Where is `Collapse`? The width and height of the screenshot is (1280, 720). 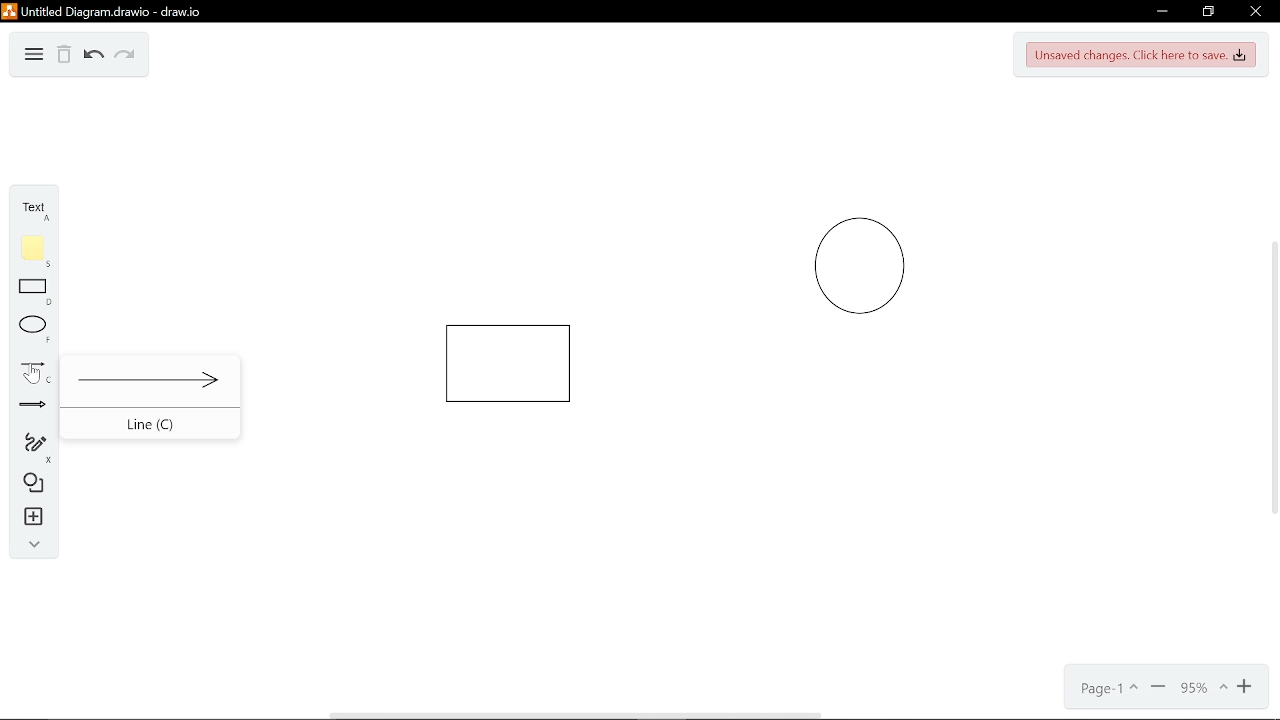
Collapse is located at coordinates (30, 544).